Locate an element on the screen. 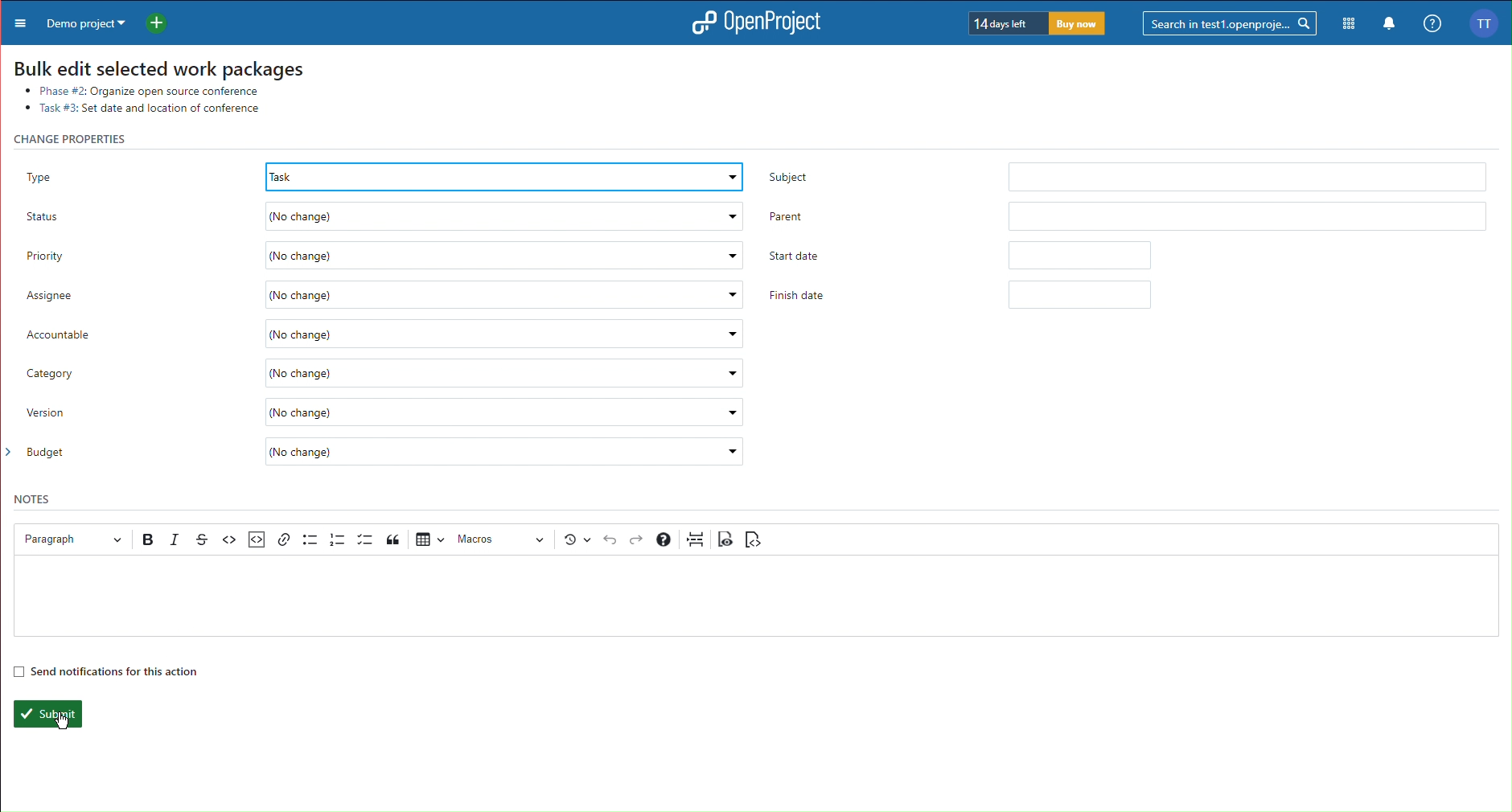 The height and width of the screenshot is (812, 1512). Search bar is located at coordinates (1231, 23).